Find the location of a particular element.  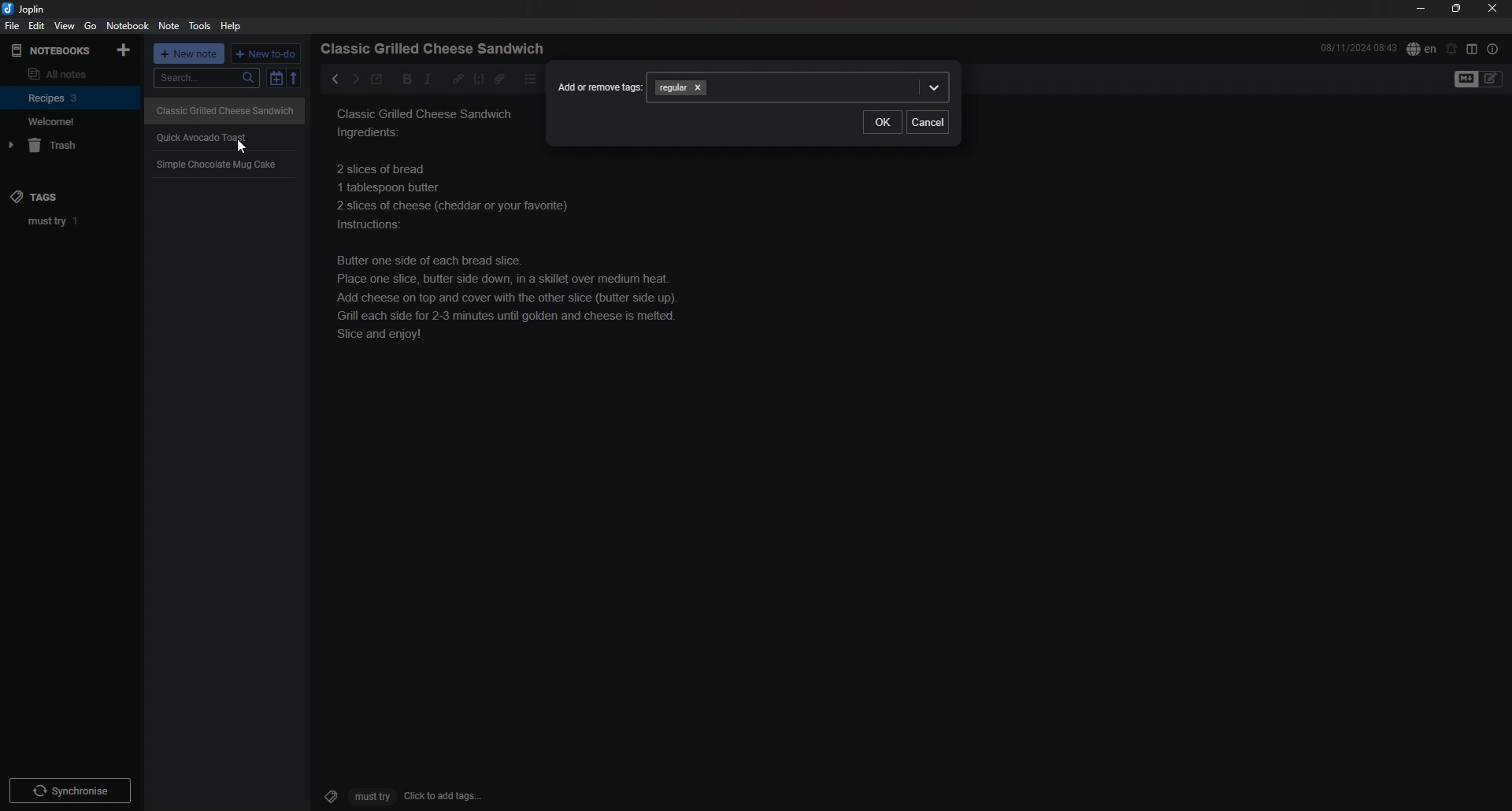

trash is located at coordinates (72, 146).